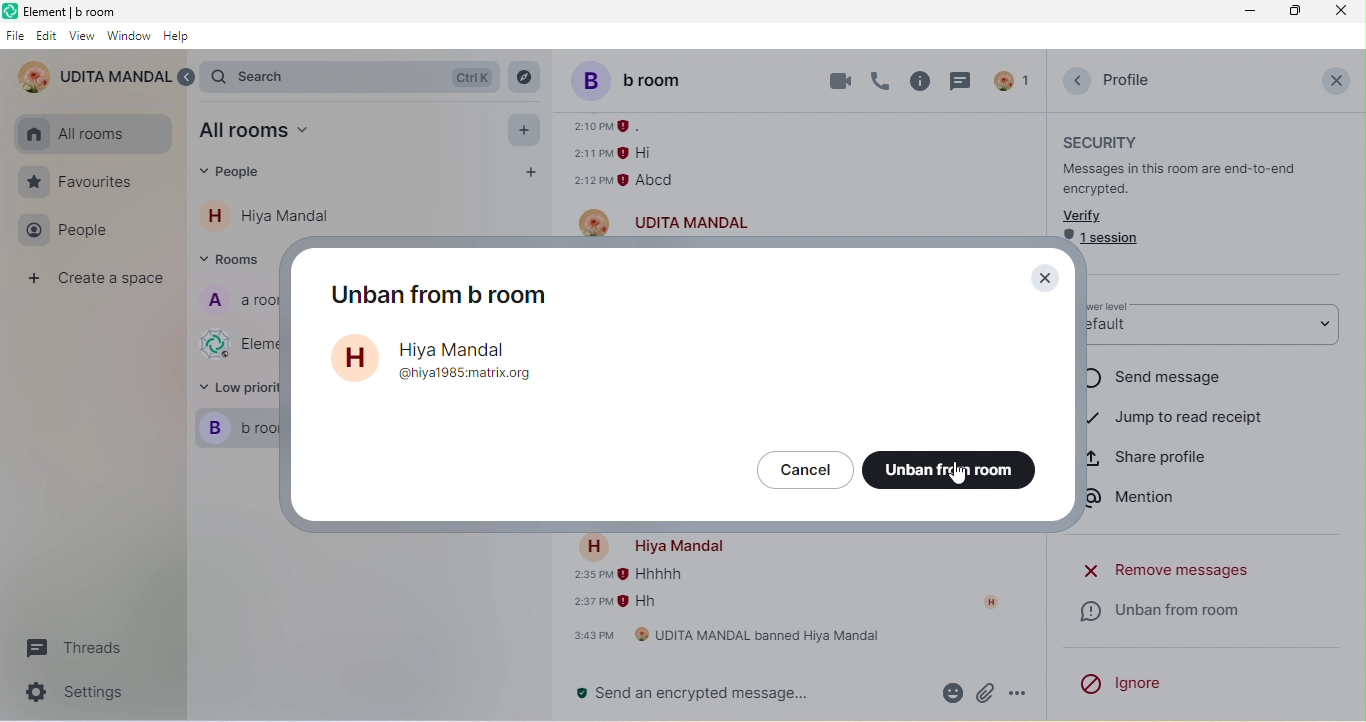  I want to click on threads, so click(958, 80).